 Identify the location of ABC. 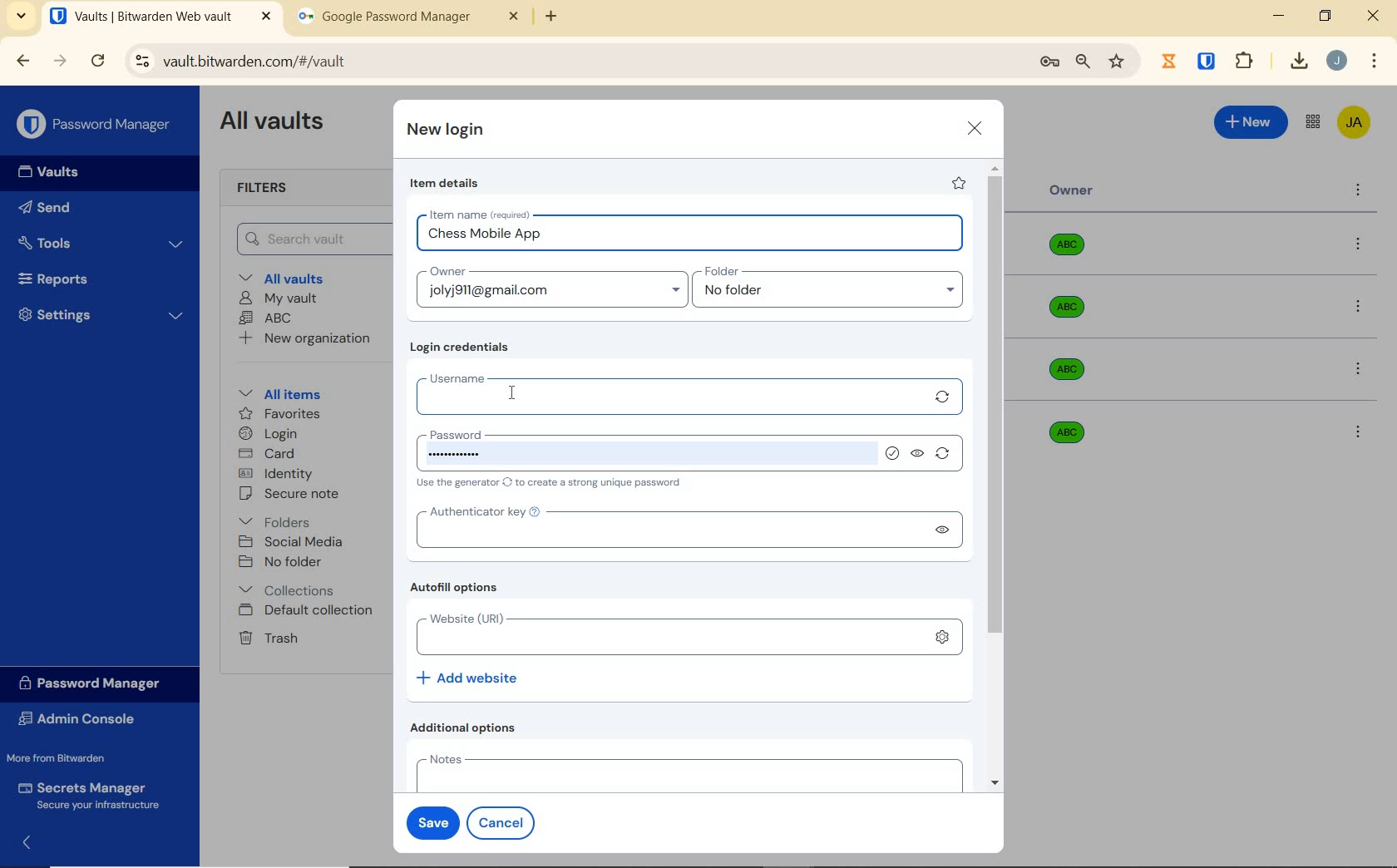
(265, 318).